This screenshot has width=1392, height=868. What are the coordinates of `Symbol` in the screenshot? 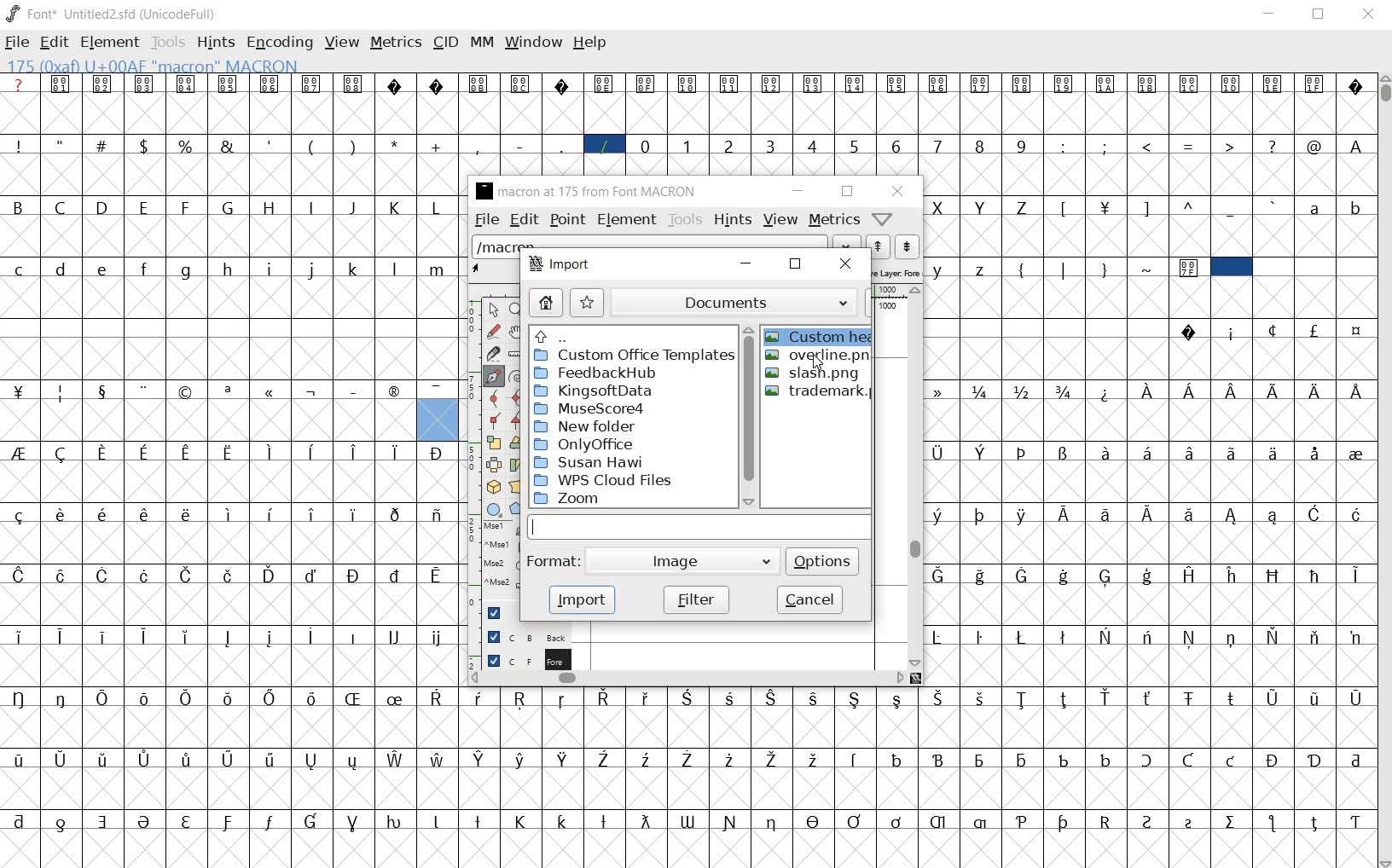 It's located at (1315, 389).